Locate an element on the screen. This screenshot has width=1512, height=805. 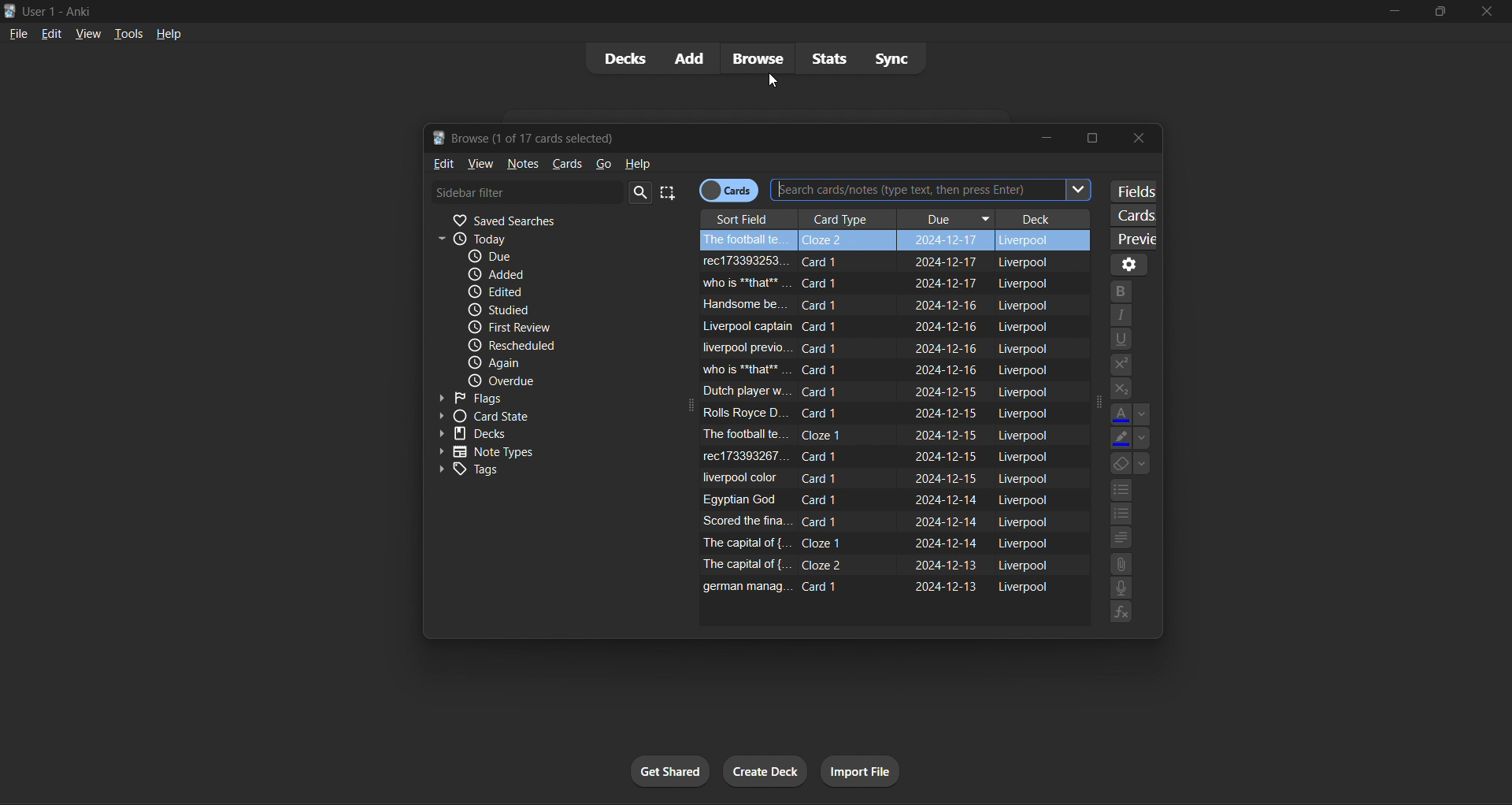
field is located at coordinates (749, 304).